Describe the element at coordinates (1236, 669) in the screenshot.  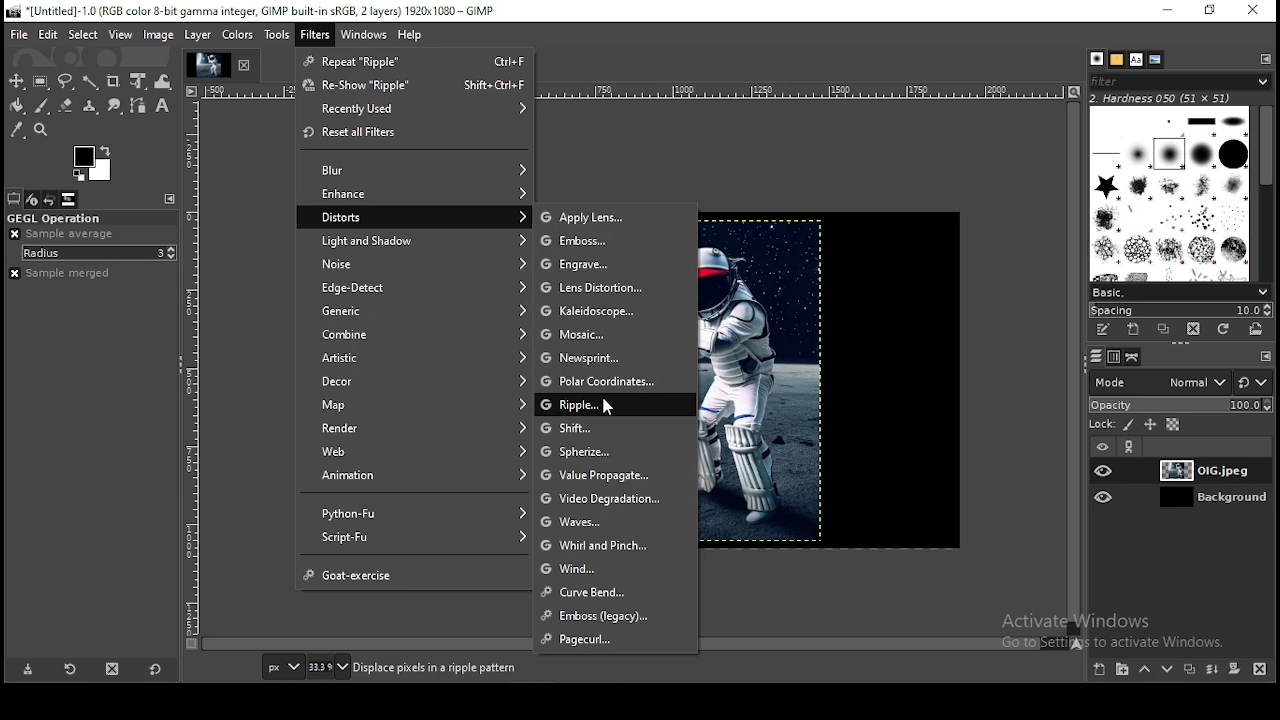
I see `add a mask that allows non-destructive editing of transperancy` at that location.